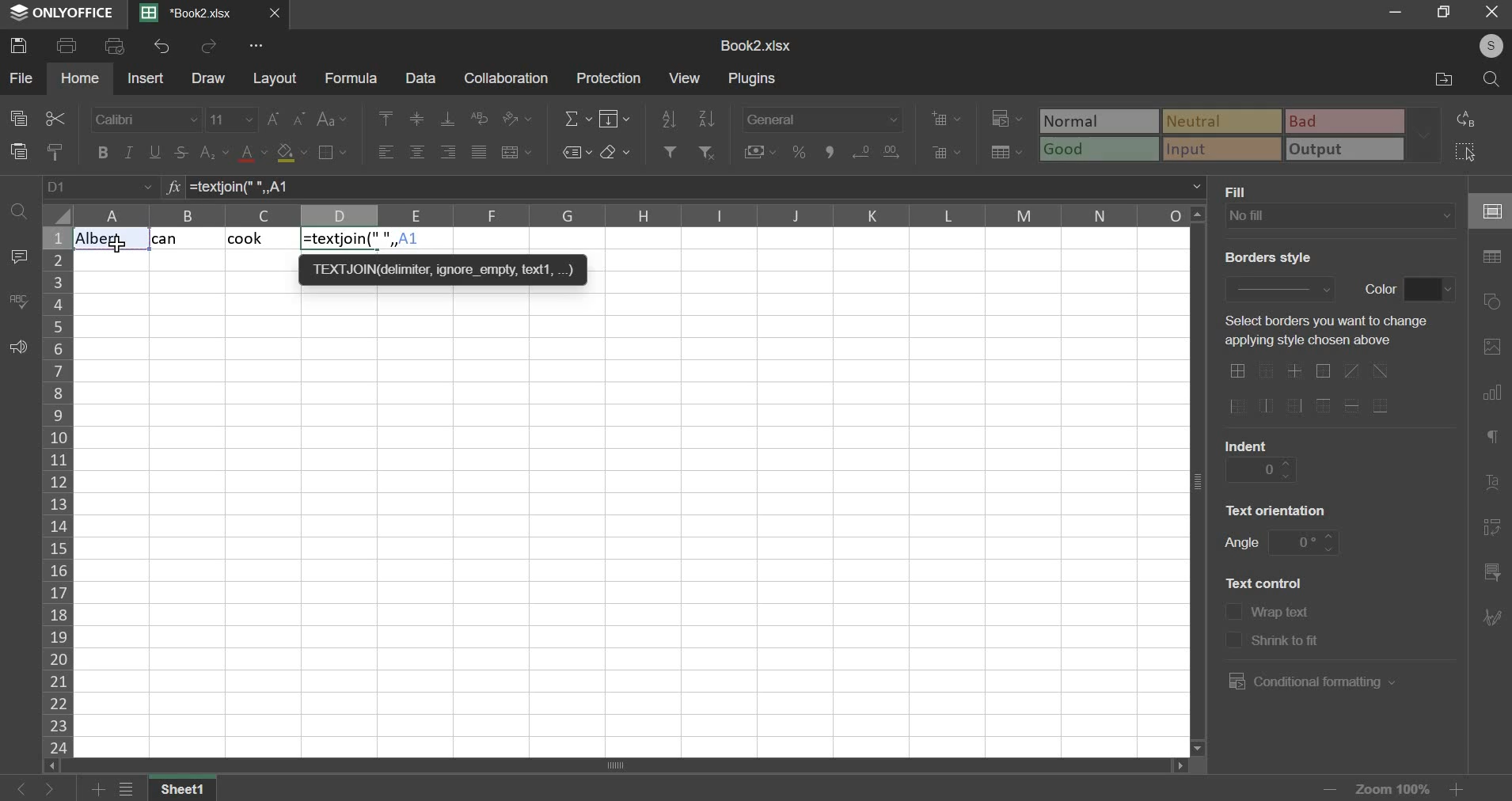 This screenshot has height=801, width=1512. What do you see at coordinates (1490, 575) in the screenshot?
I see `slicer` at bounding box center [1490, 575].